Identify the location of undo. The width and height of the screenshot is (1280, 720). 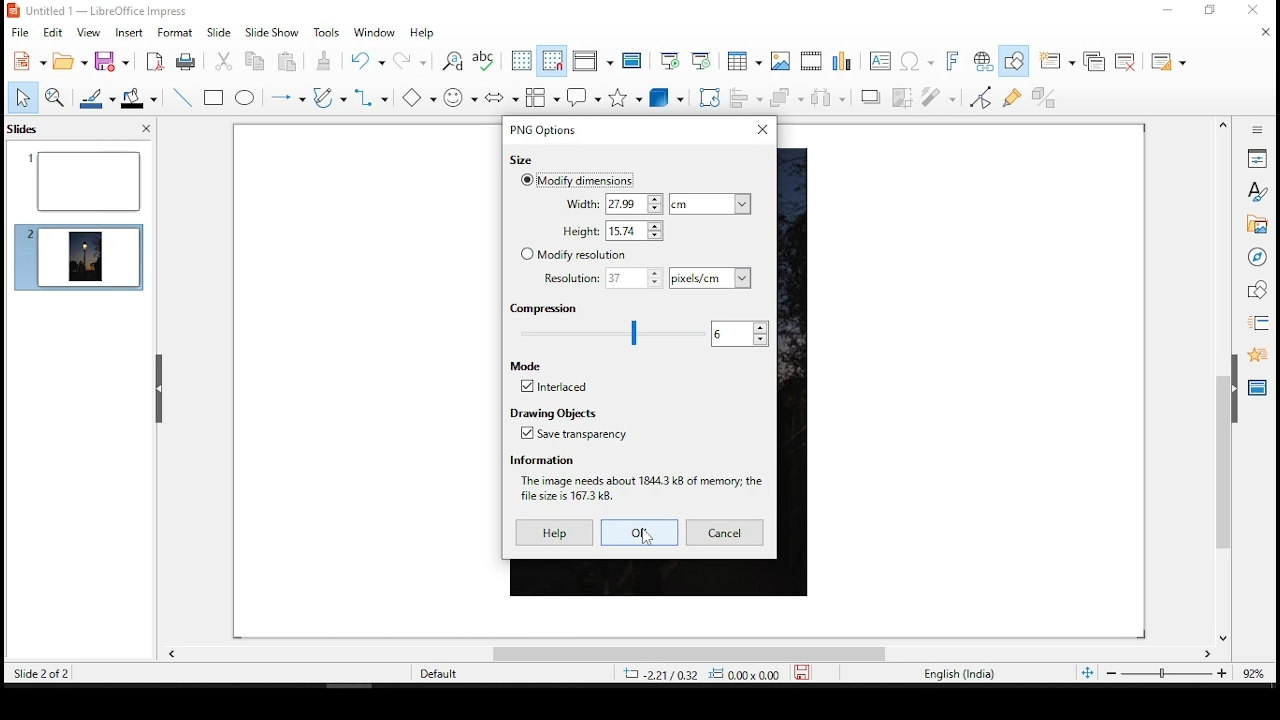
(367, 61).